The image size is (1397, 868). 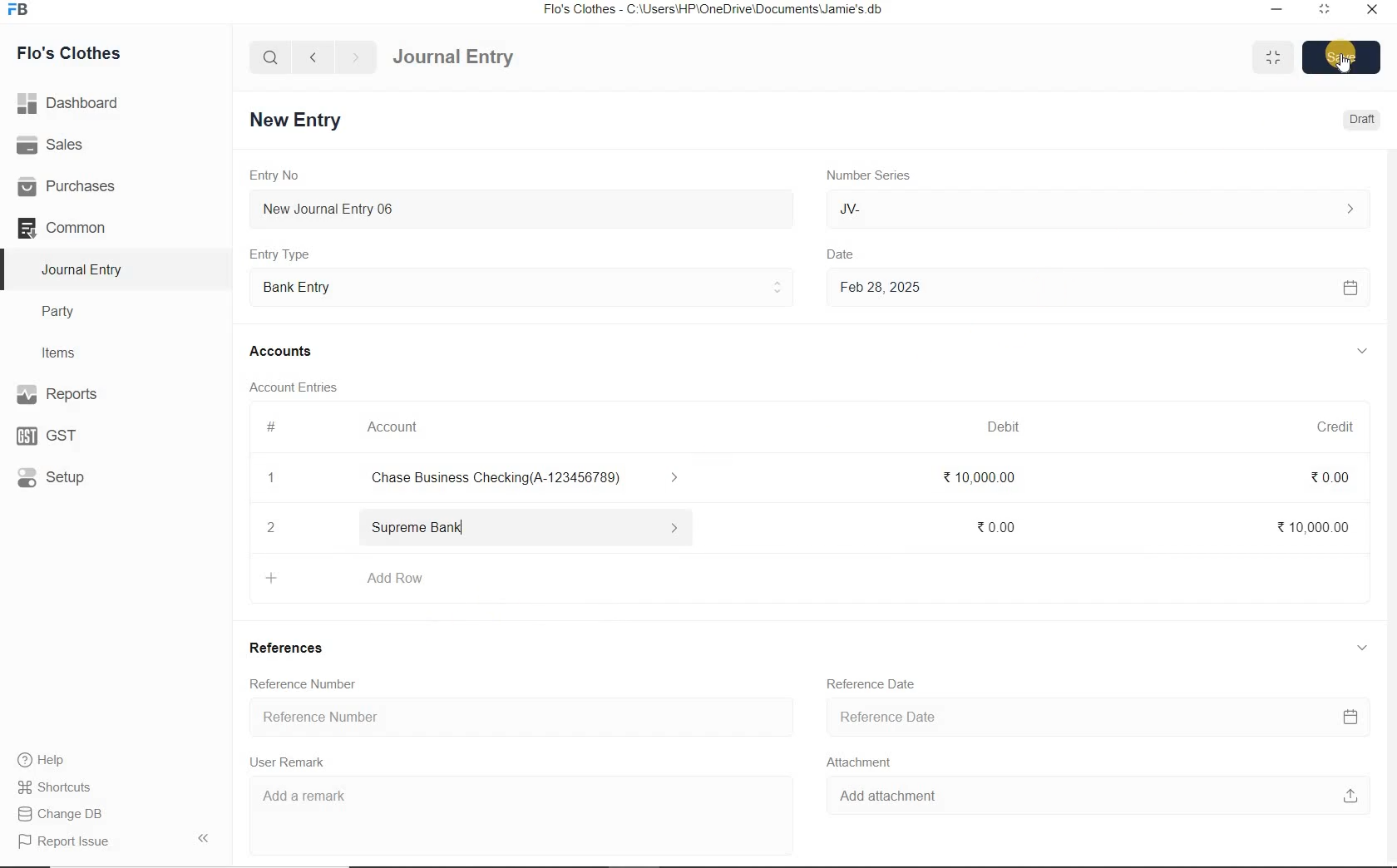 I want to click on Cursor, so click(x=1338, y=66).